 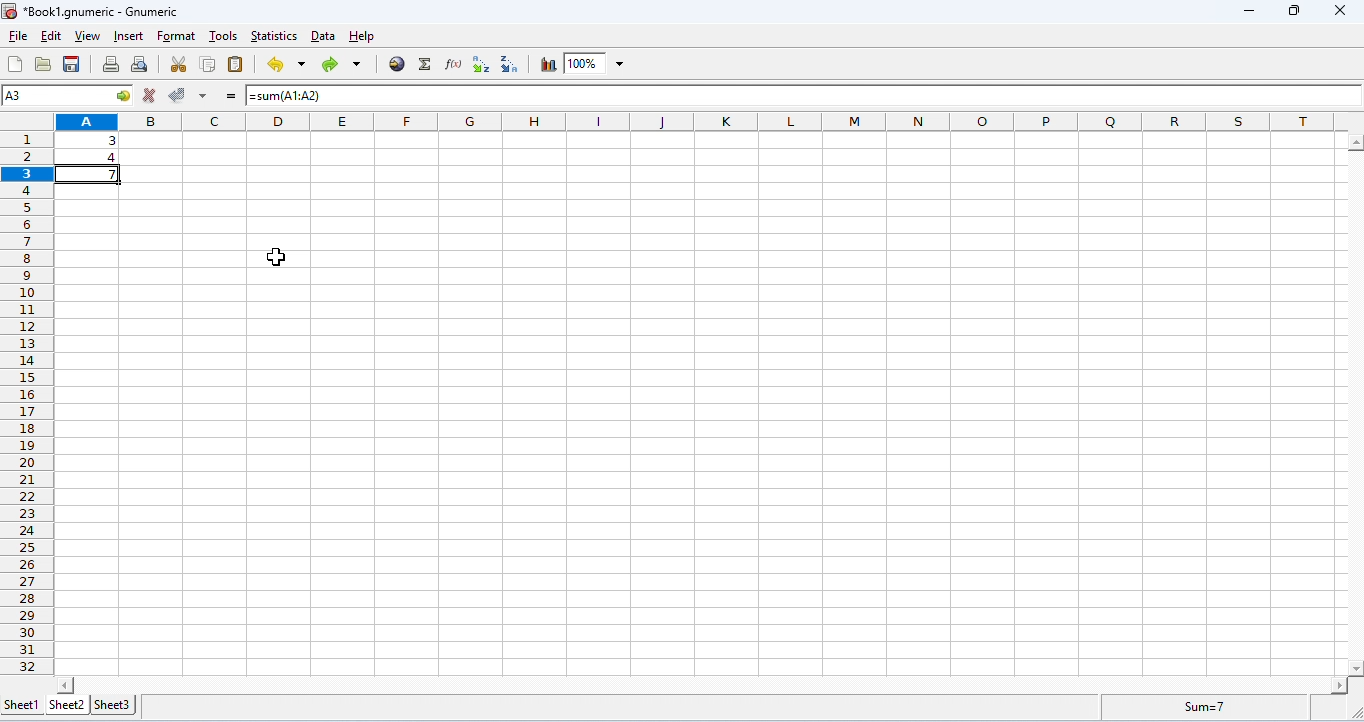 I want to click on cut, so click(x=176, y=65).